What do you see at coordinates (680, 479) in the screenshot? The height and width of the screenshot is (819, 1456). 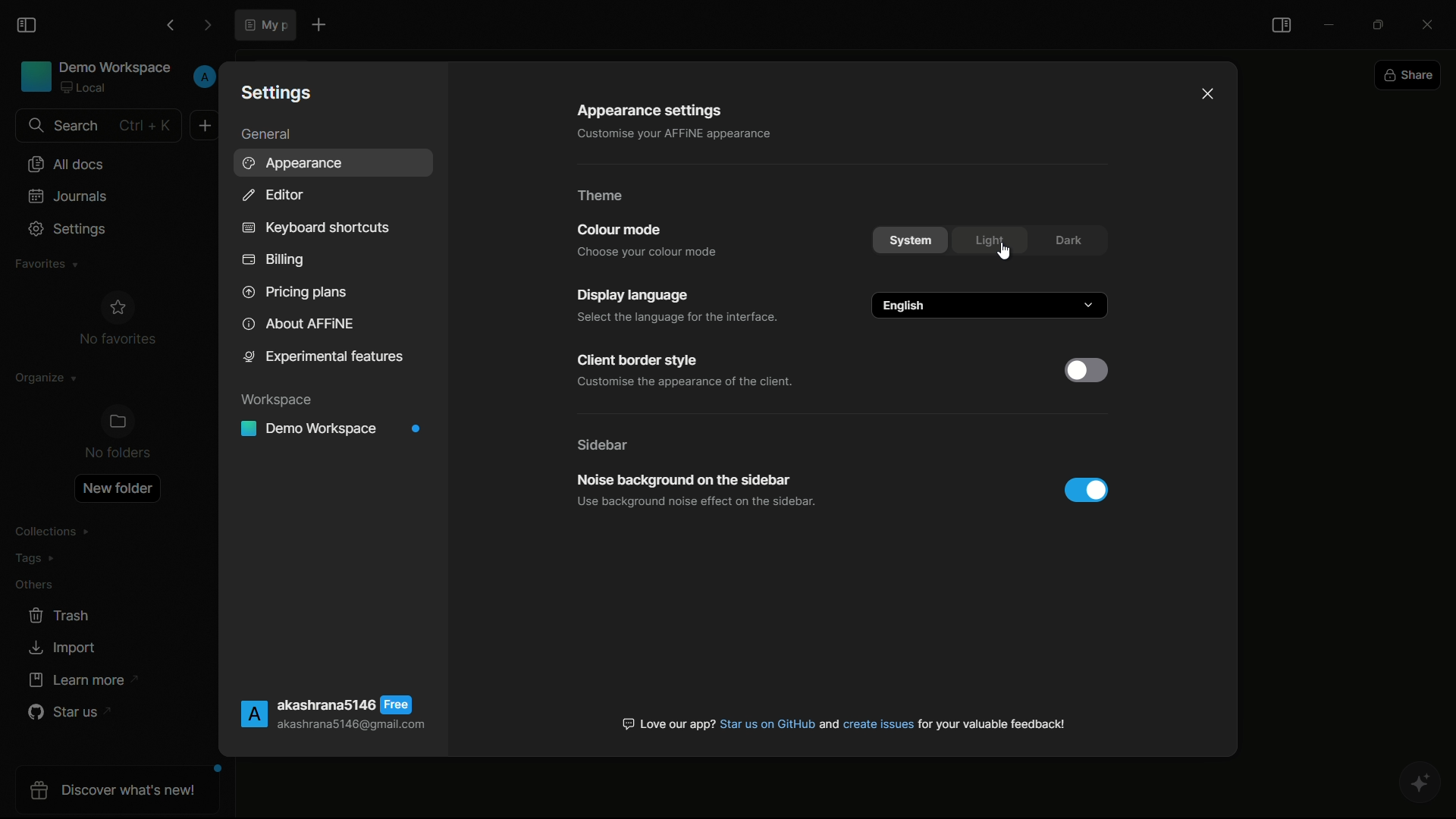 I see `noise background on the sidebar` at bounding box center [680, 479].